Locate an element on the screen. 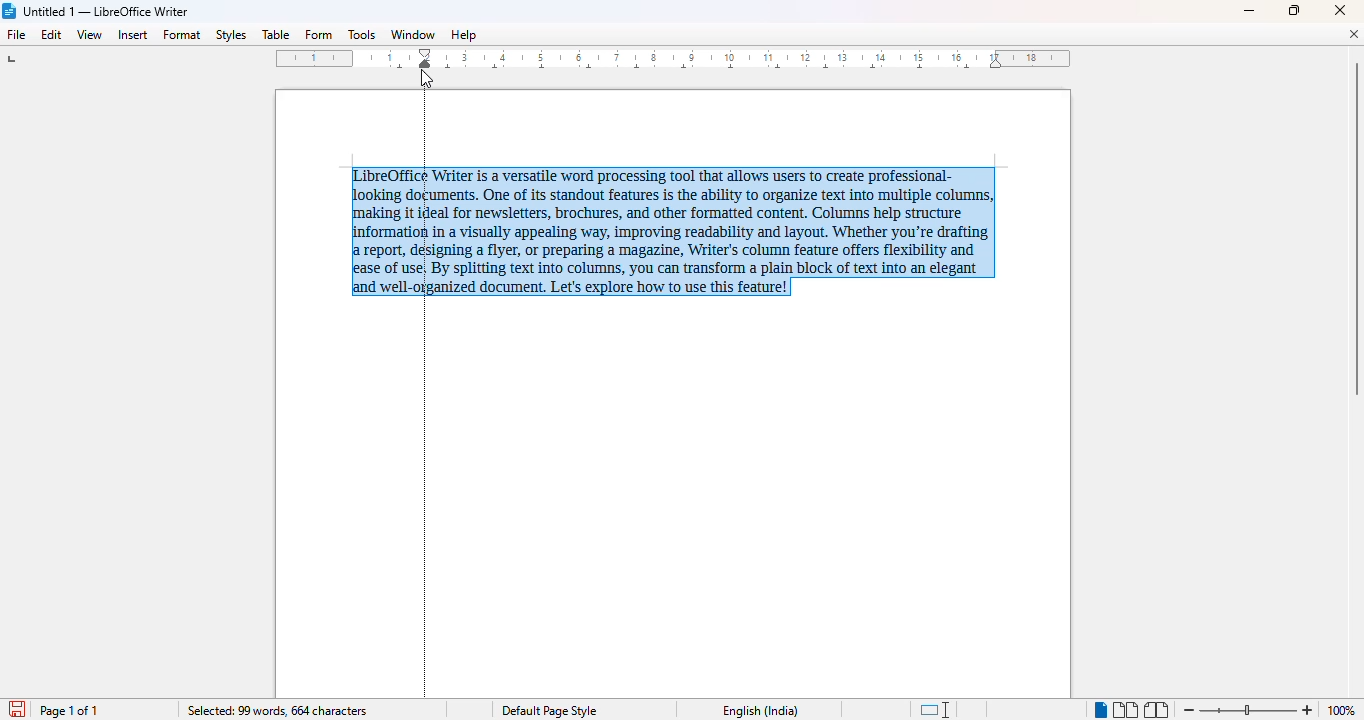  book view is located at coordinates (1156, 710).